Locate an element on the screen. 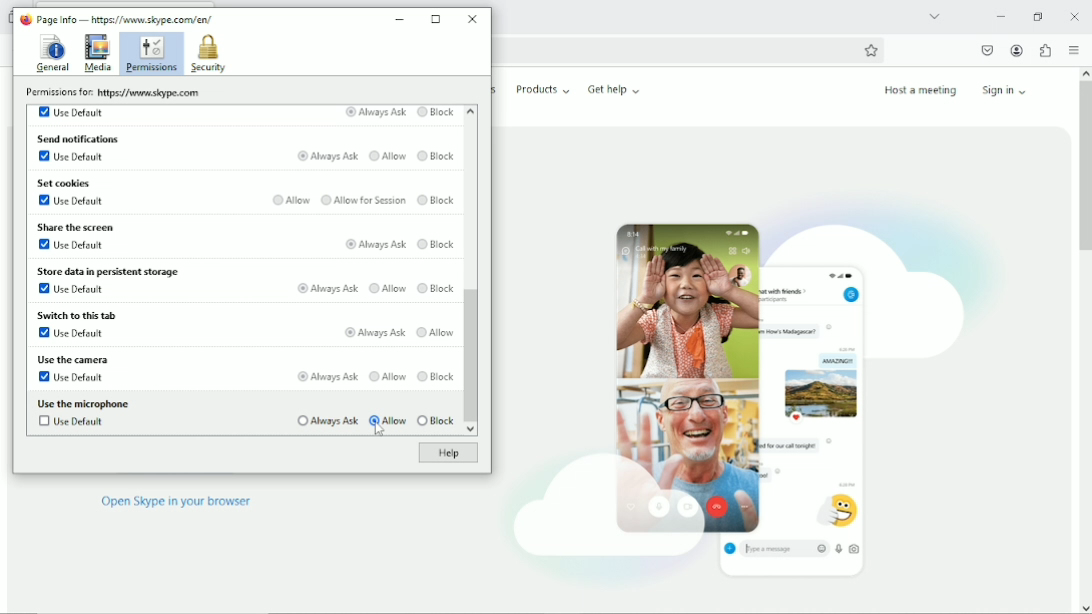  Use default is located at coordinates (69, 333).